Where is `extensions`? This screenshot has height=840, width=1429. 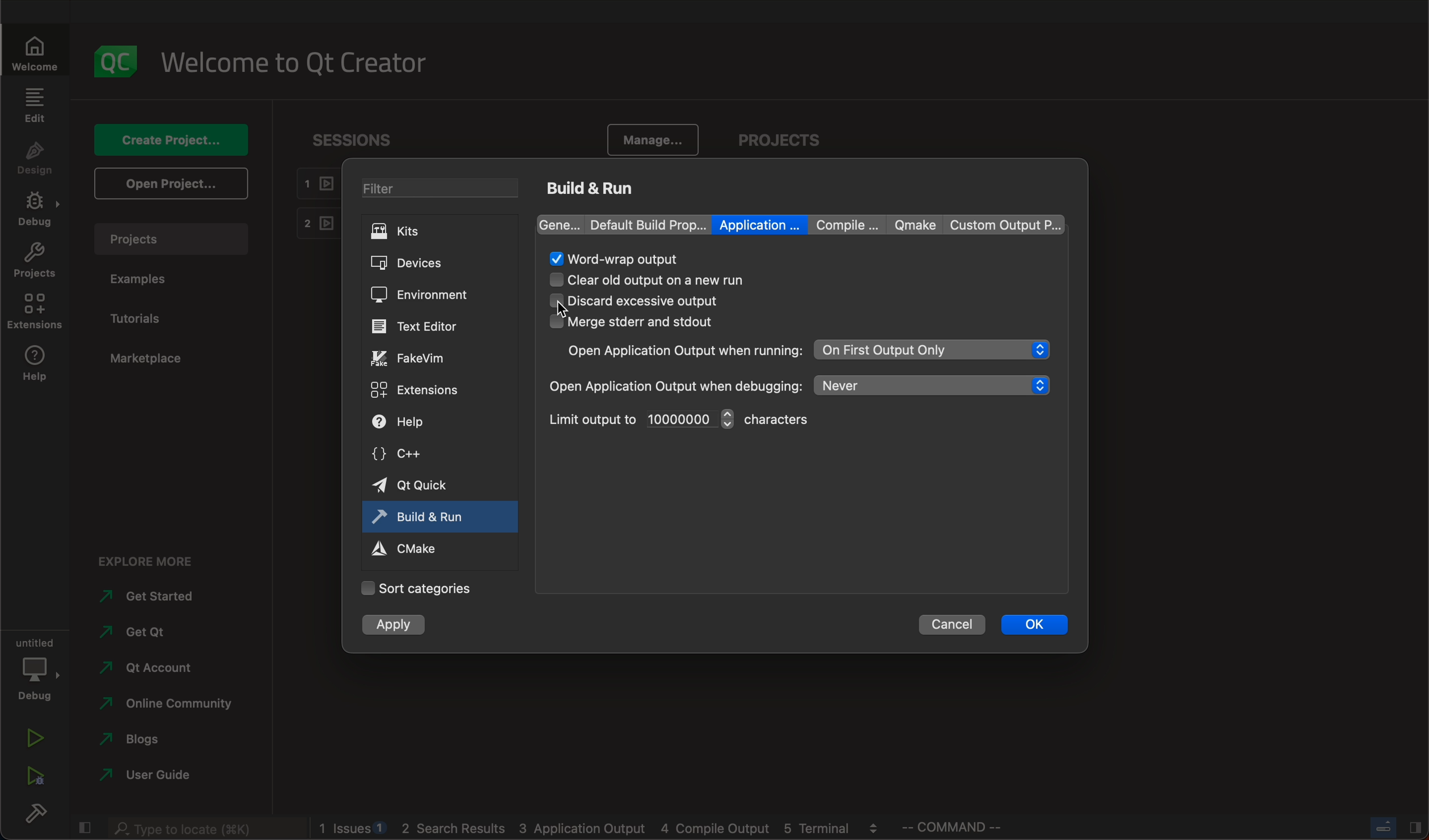 extensions is located at coordinates (33, 313).